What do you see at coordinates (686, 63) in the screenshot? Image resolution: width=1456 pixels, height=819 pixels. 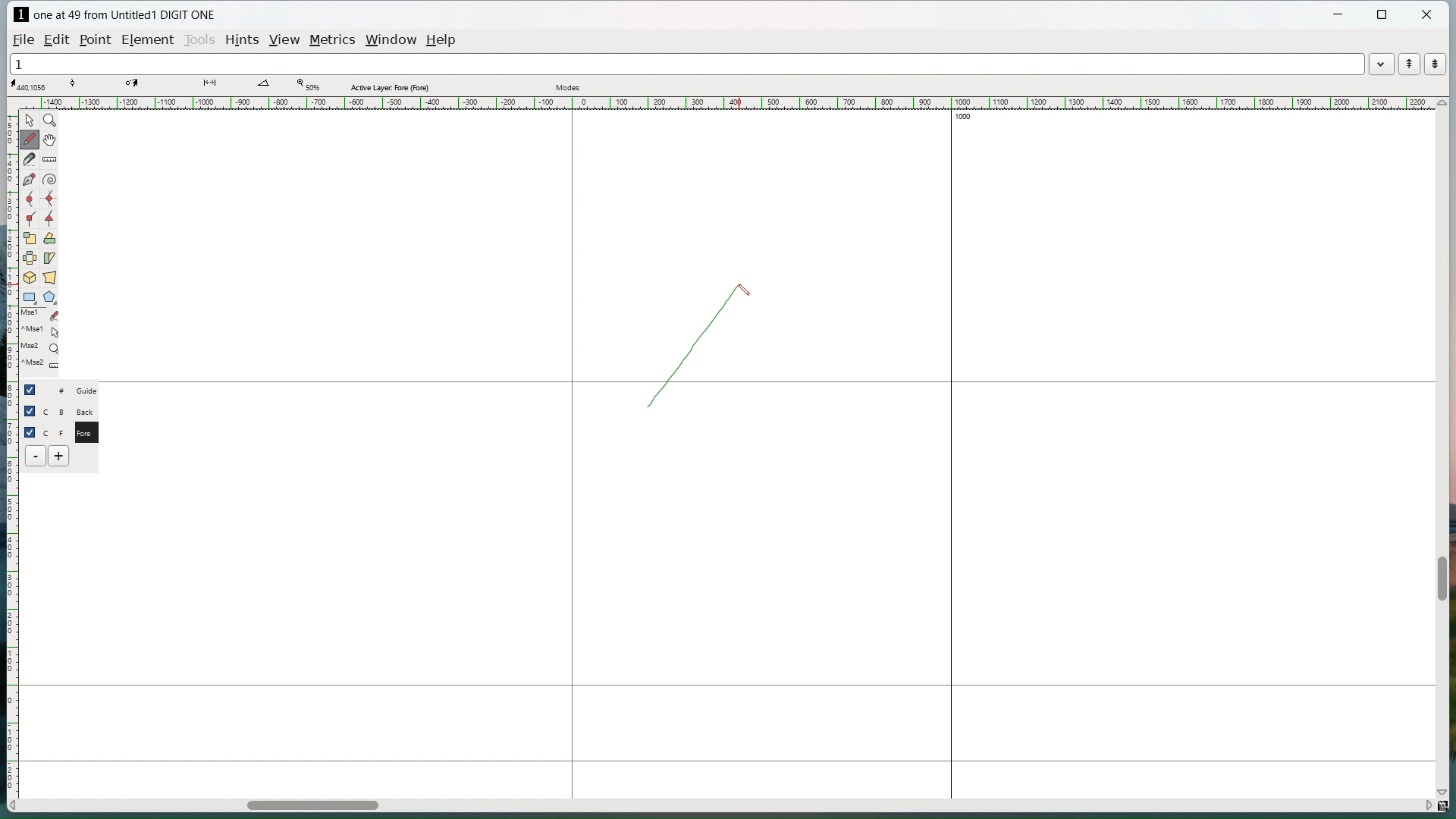 I see `1` at bounding box center [686, 63].